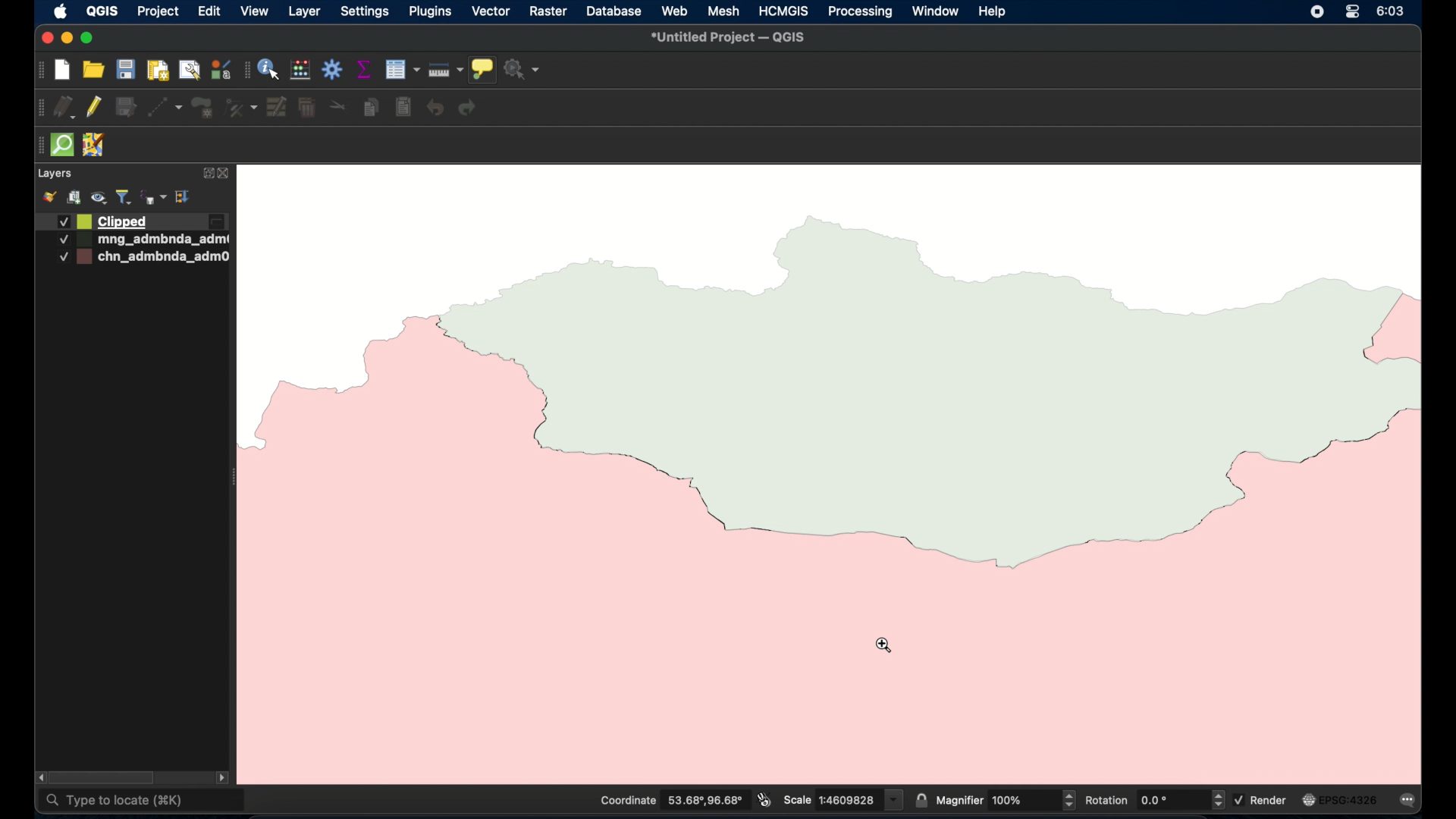 Image resolution: width=1456 pixels, height=819 pixels. I want to click on modify attributes, so click(278, 108).